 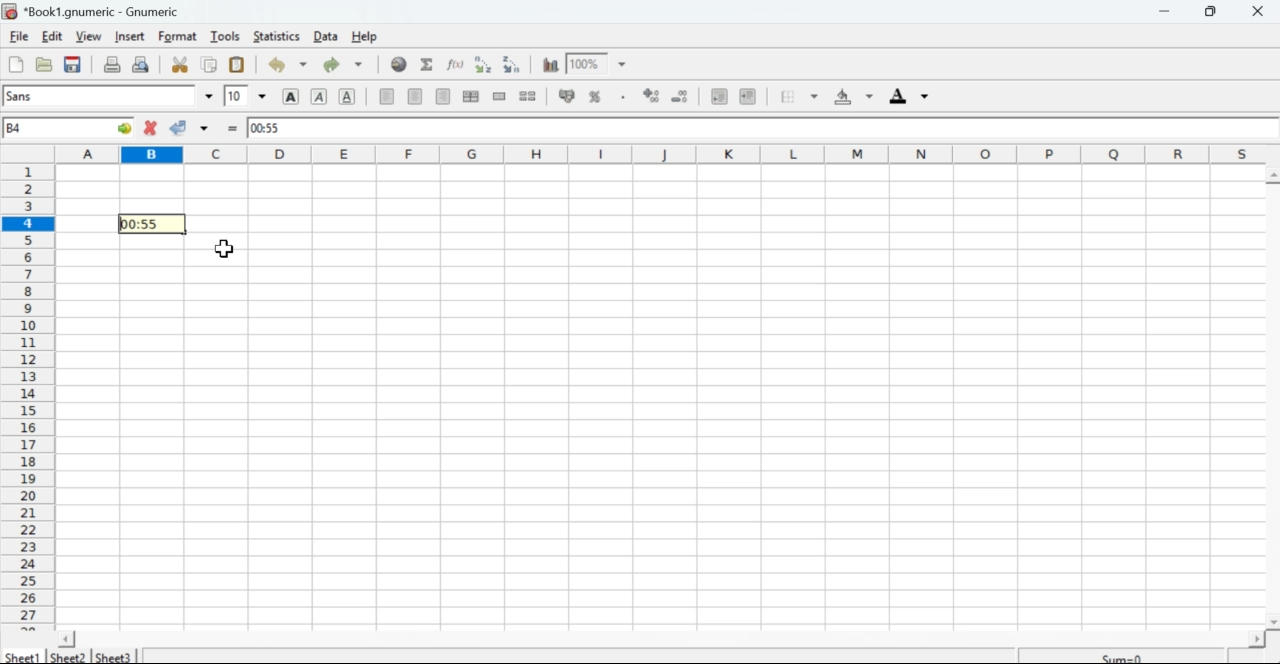 What do you see at coordinates (181, 65) in the screenshot?
I see `Cut` at bounding box center [181, 65].